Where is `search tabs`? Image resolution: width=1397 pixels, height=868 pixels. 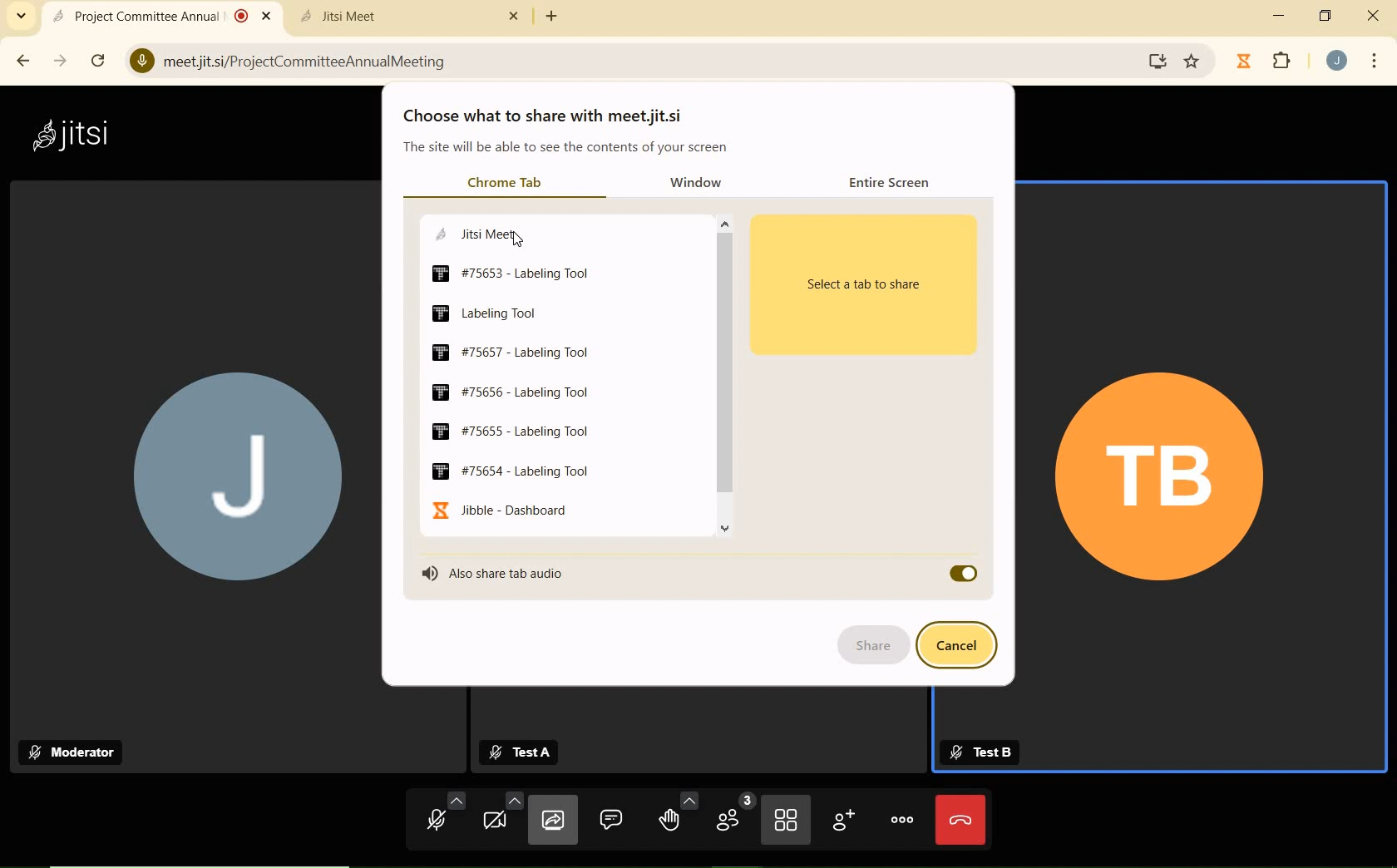 search tabs is located at coordinates (23, 17).